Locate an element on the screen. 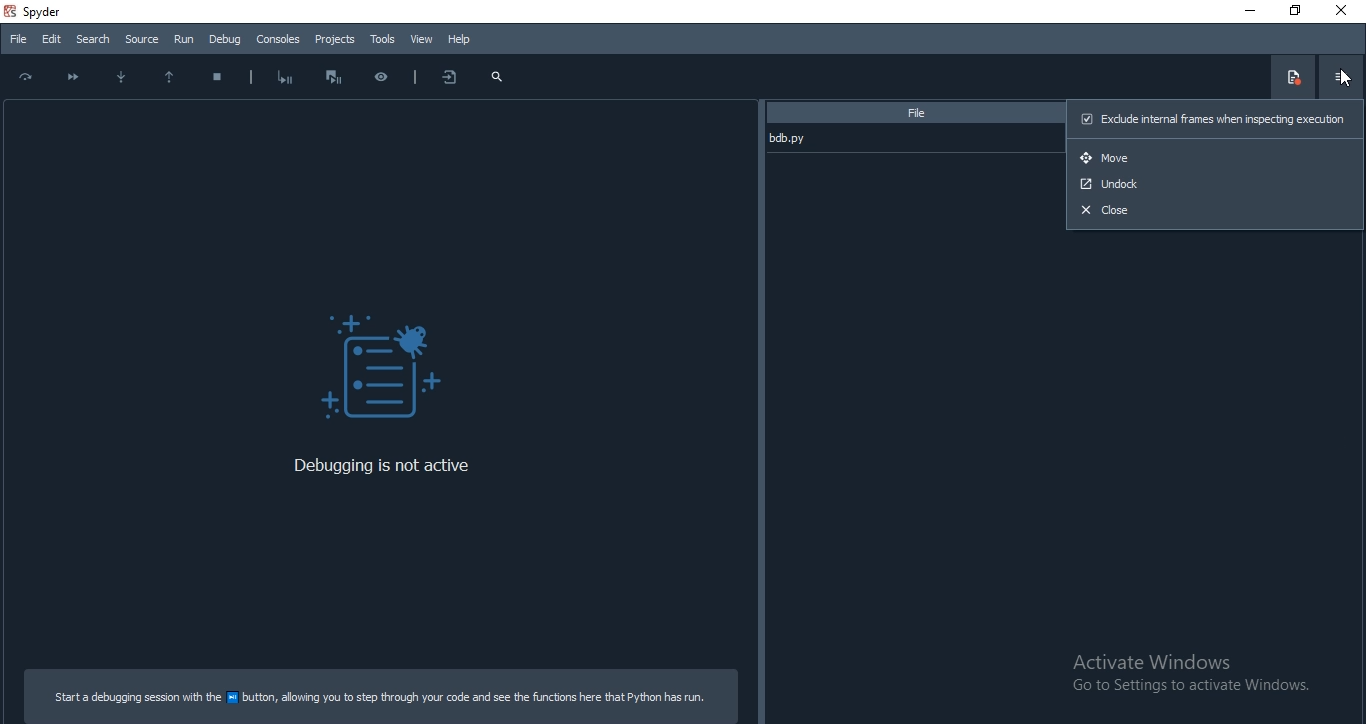 The width and height of the screenshot is (1366, 724). options is located at coordinates (1342, 76).